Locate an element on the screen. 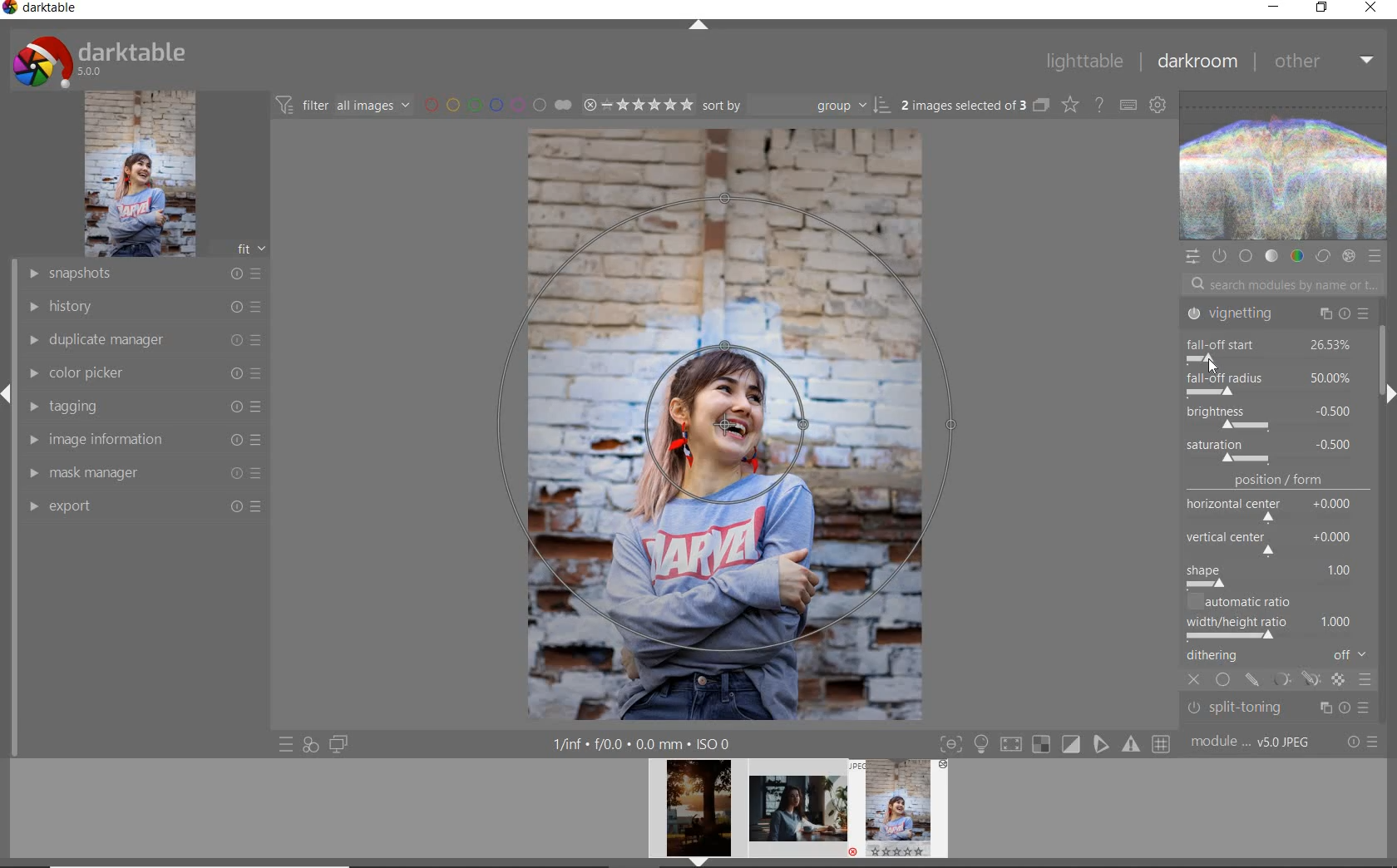 Image resolution: width=1397 pixels, height=868 pixels. selected image is located at coordinates (726, 422).